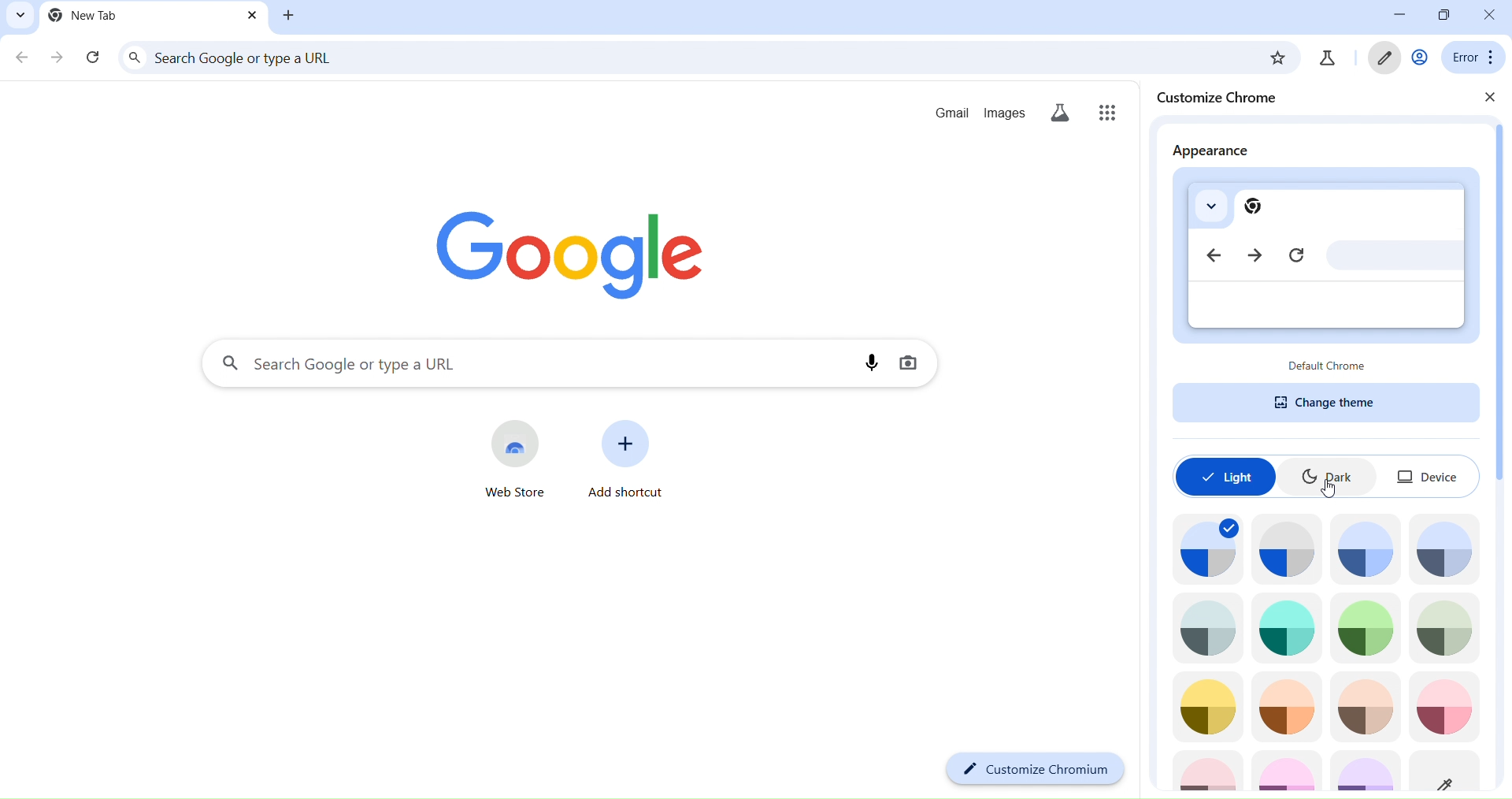 Image resolution: width=1512 pixels, height=799 pixels. What do you see at coordinates (1327, 58) in the screenshot?
I see `search labs` at bounding box center [1327, 58].